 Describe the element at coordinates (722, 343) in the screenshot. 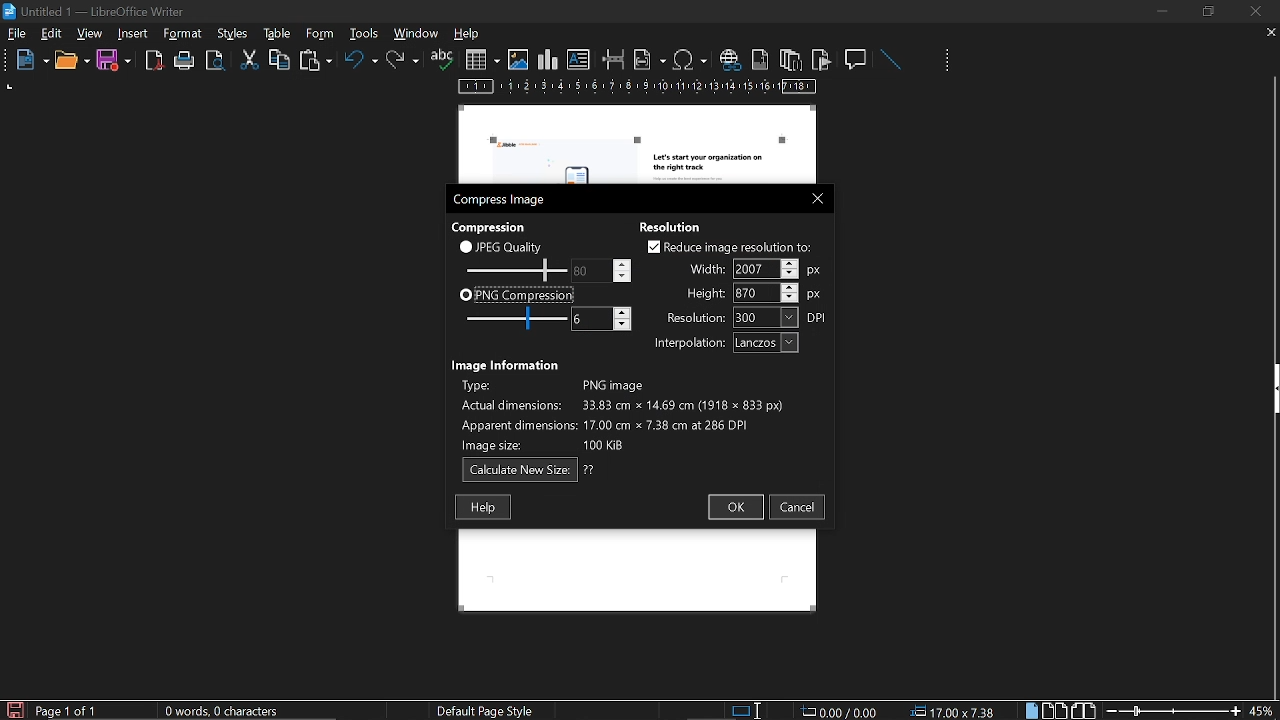

I see `interpolation` at that location.